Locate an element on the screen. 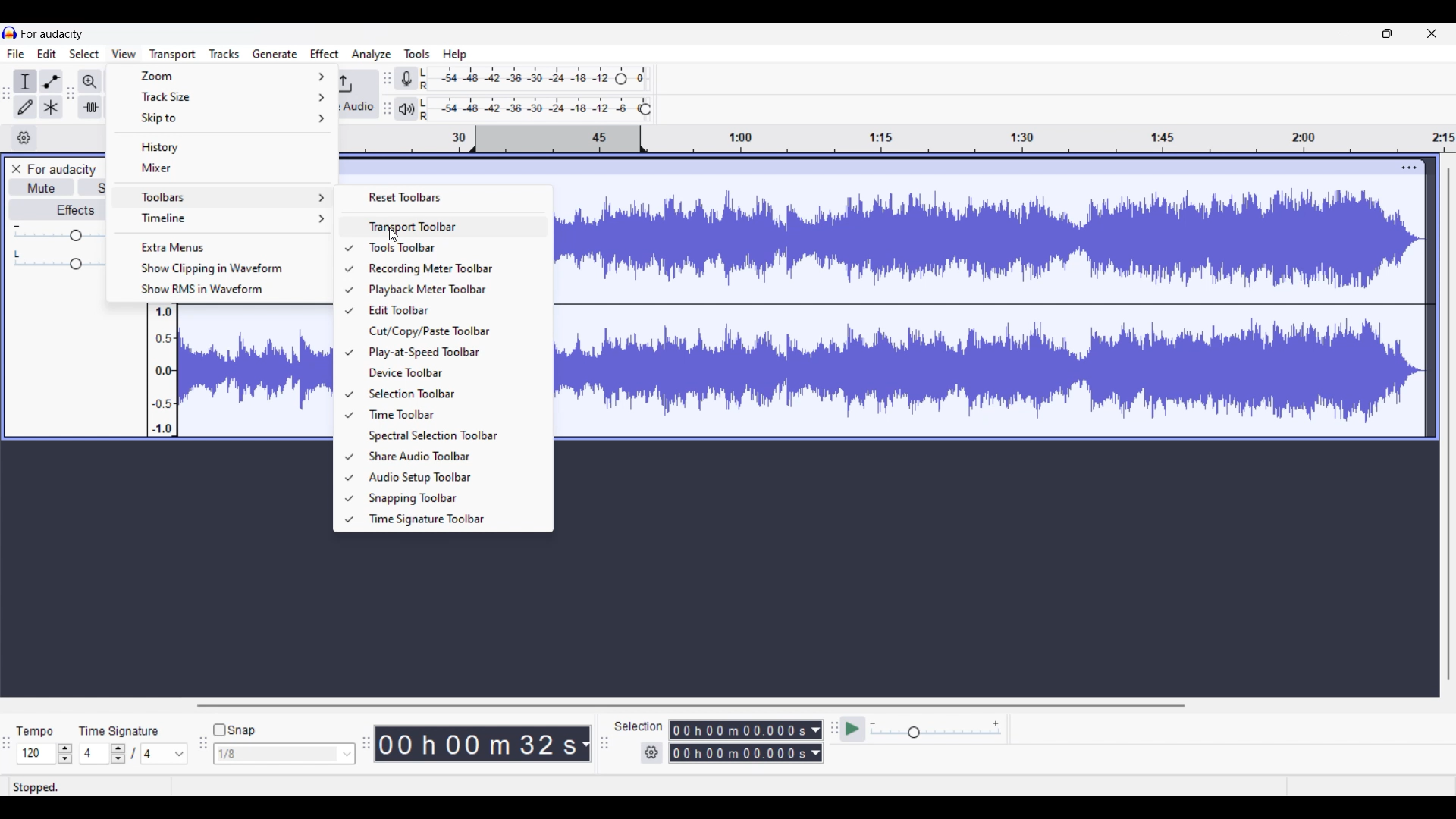  Record meter is located at coordinates (406, 78).